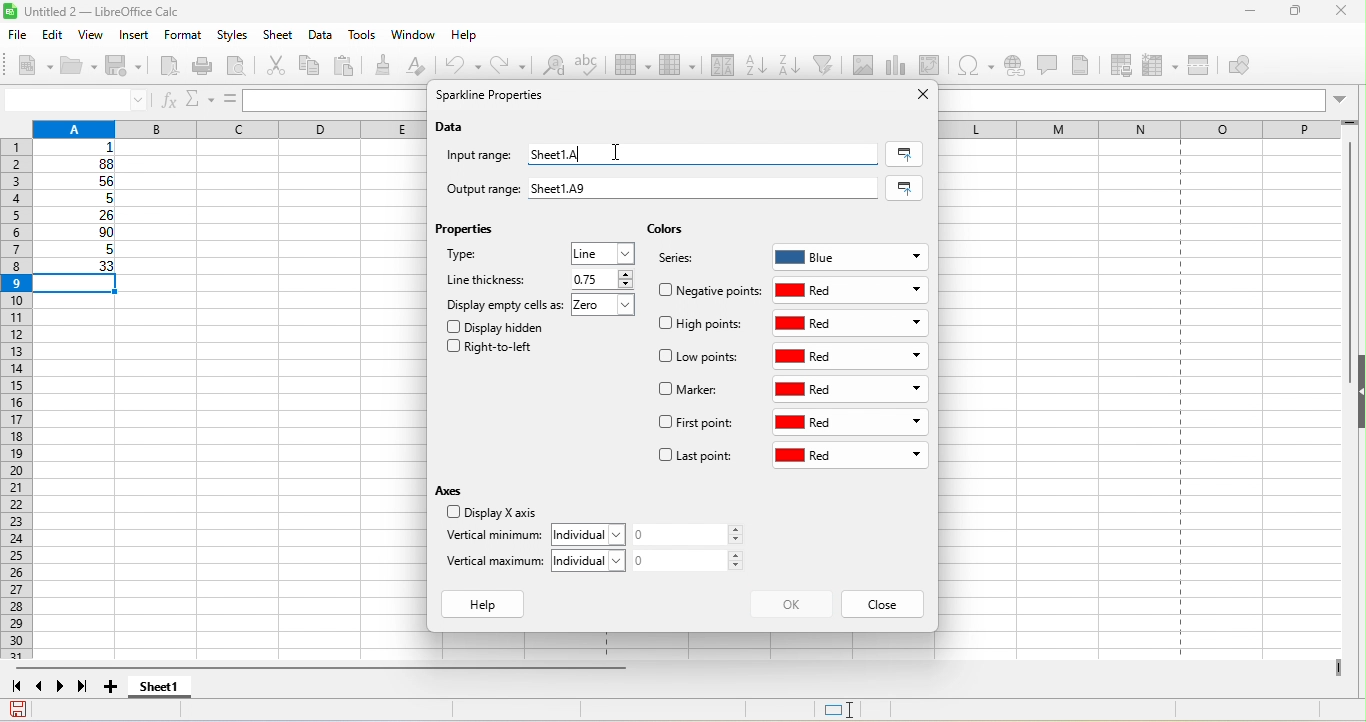  What do you see at coordinates (854, 389) in the screenshot?
I see `red` at bounding box center [854, 389].